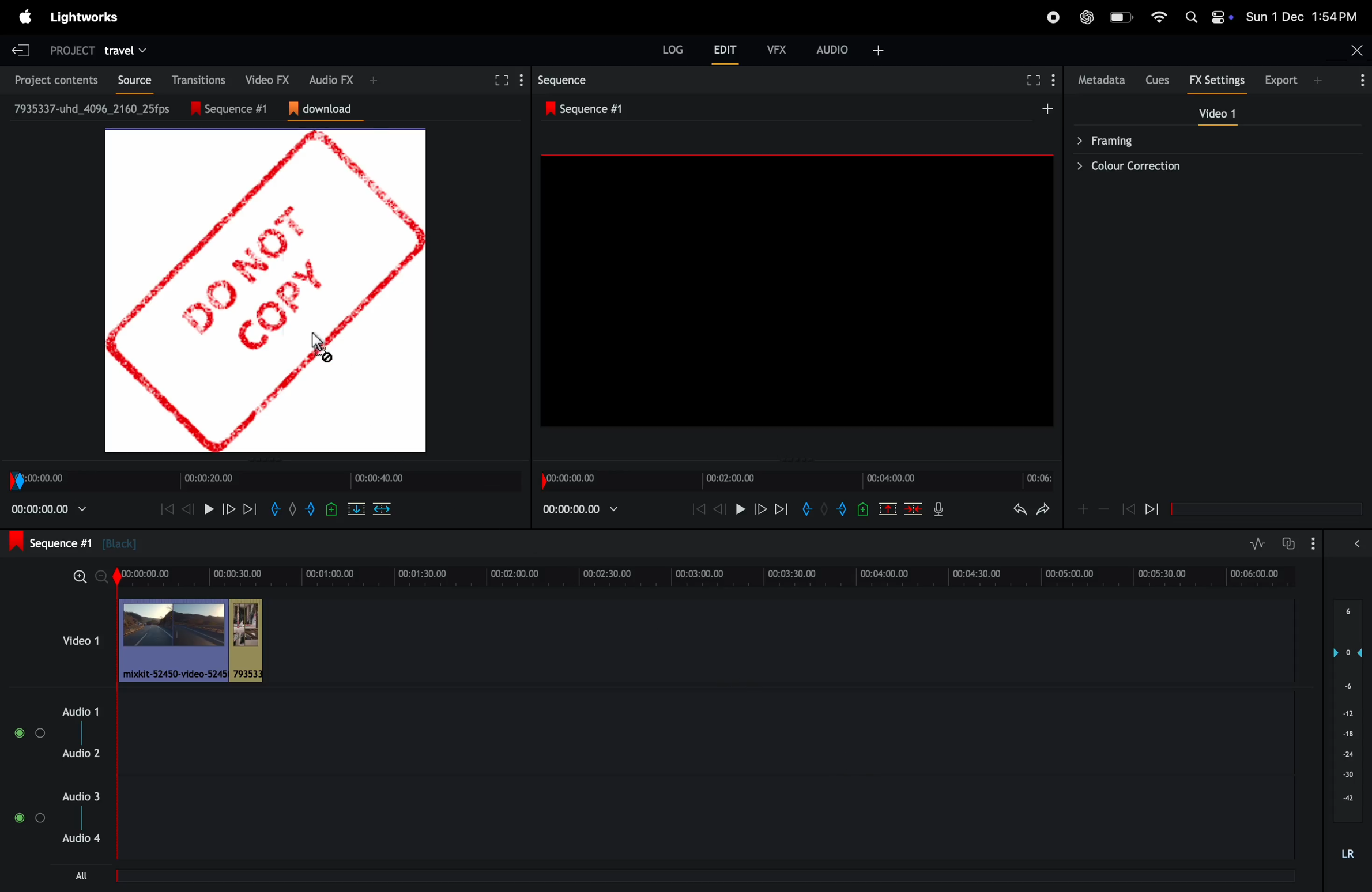 This screenshot has height=892, width=1372. Describe the element at coordinates (1222, 17) in the screenshot. I see `Dark mode/Light mode` at that location.